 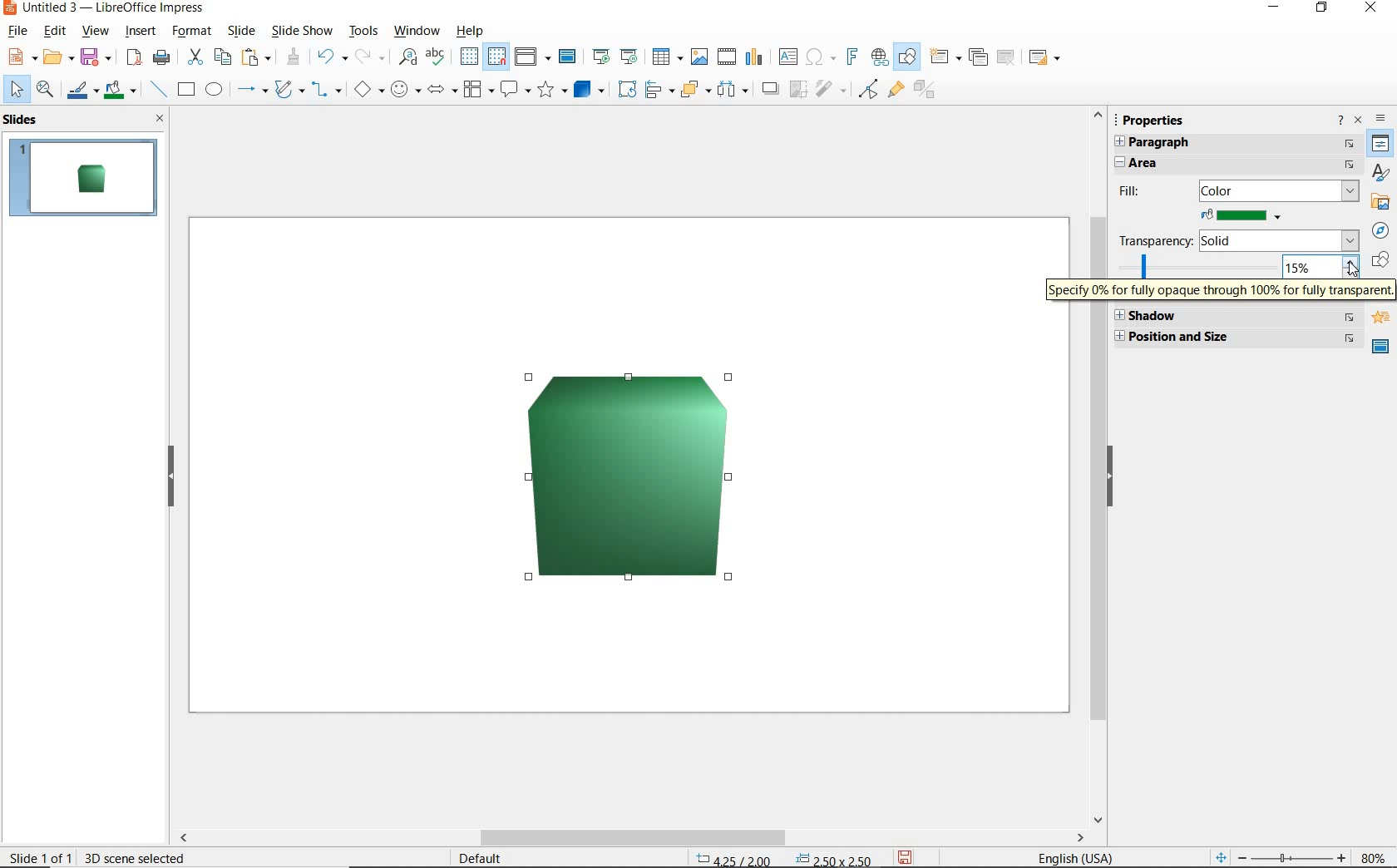 I want to click on ZOOM OUT OR ZOOM IN, so click(x=1277, y=856).